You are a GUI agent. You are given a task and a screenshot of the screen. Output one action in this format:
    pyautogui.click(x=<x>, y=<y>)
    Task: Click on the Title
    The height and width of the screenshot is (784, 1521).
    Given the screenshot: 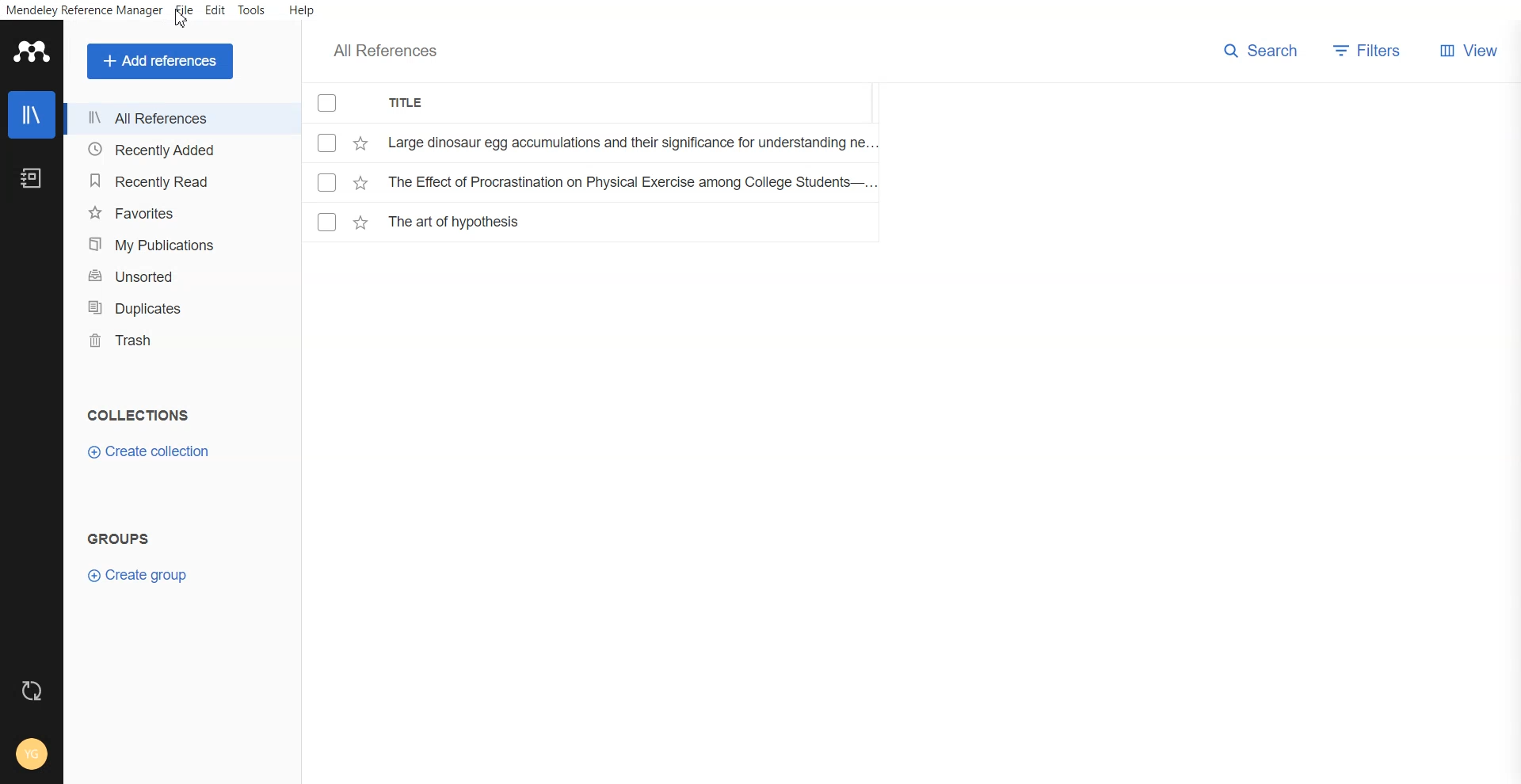 What is the action you would take?
    pyautogui.click(x=411, y=103)
    